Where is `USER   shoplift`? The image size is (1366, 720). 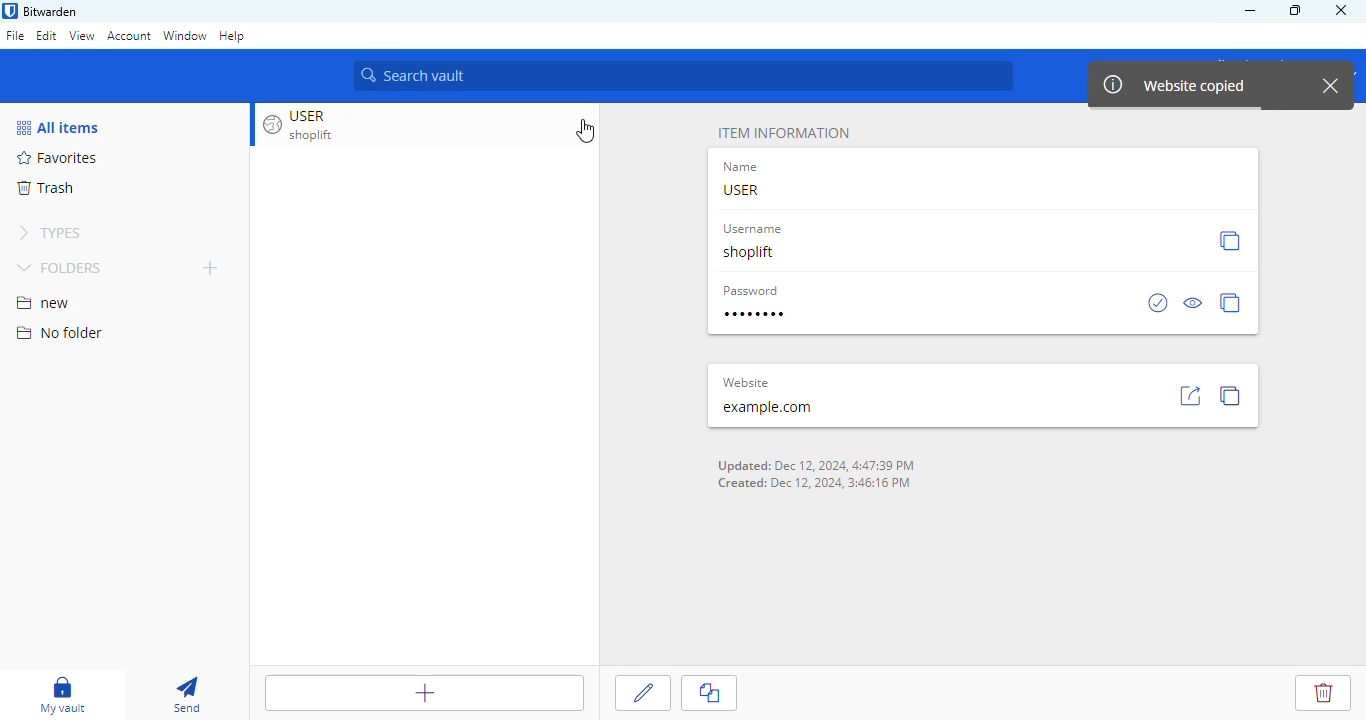
USER   shoplift is located at coordinates (318, 124).